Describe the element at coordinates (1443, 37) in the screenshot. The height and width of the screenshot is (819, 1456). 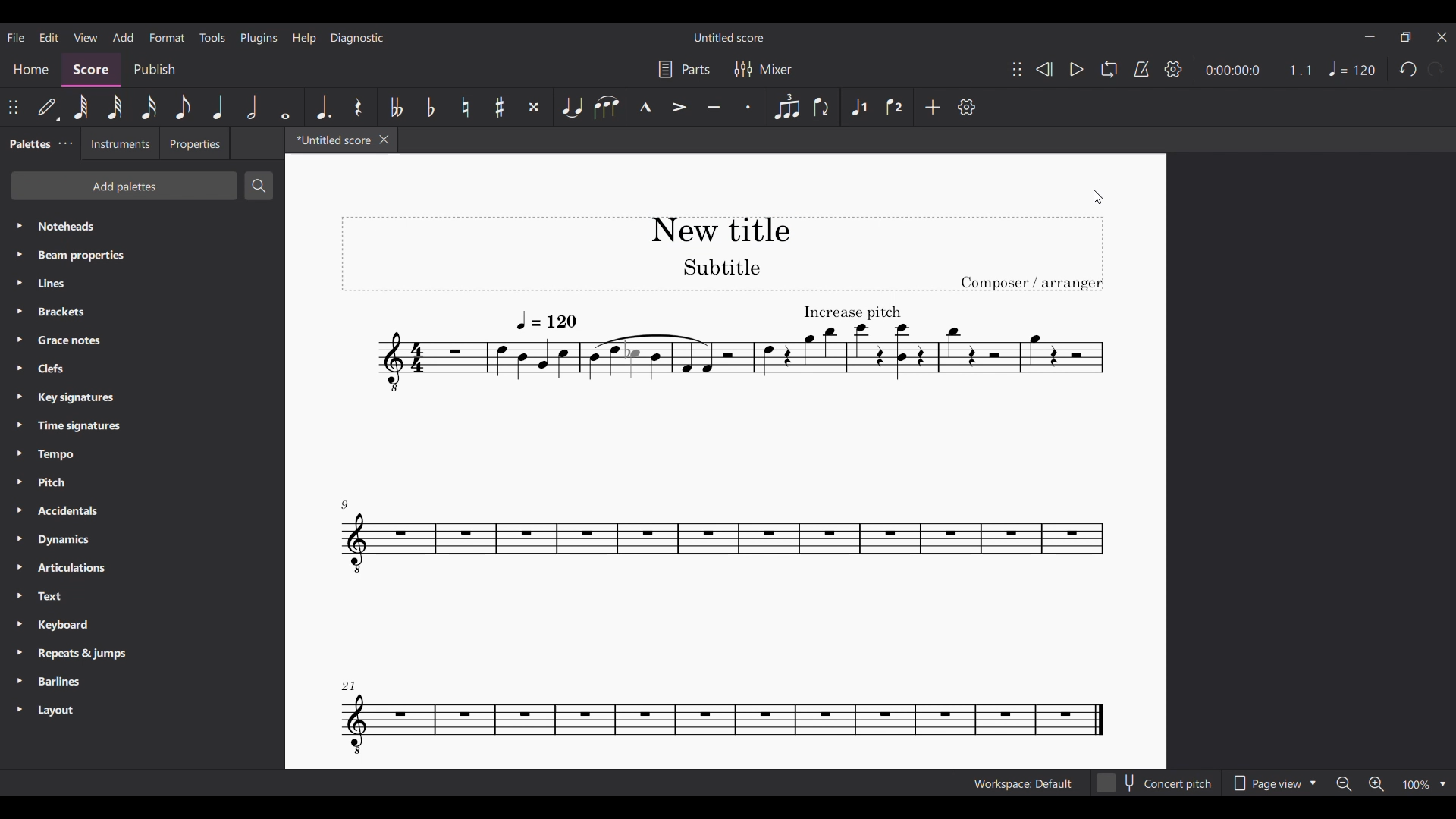
I see `Close interface` at that location.